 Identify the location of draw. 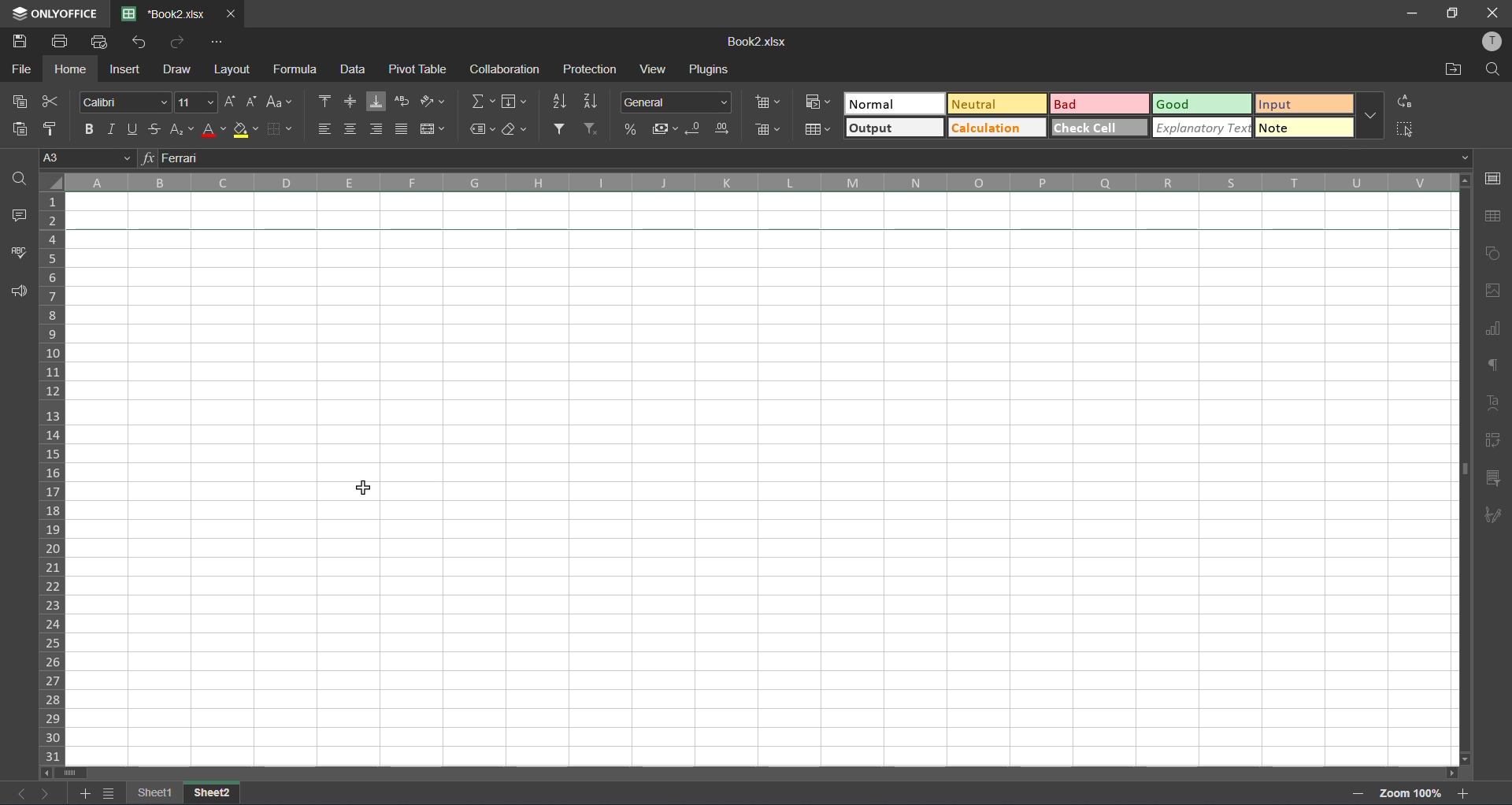
(178, 72).